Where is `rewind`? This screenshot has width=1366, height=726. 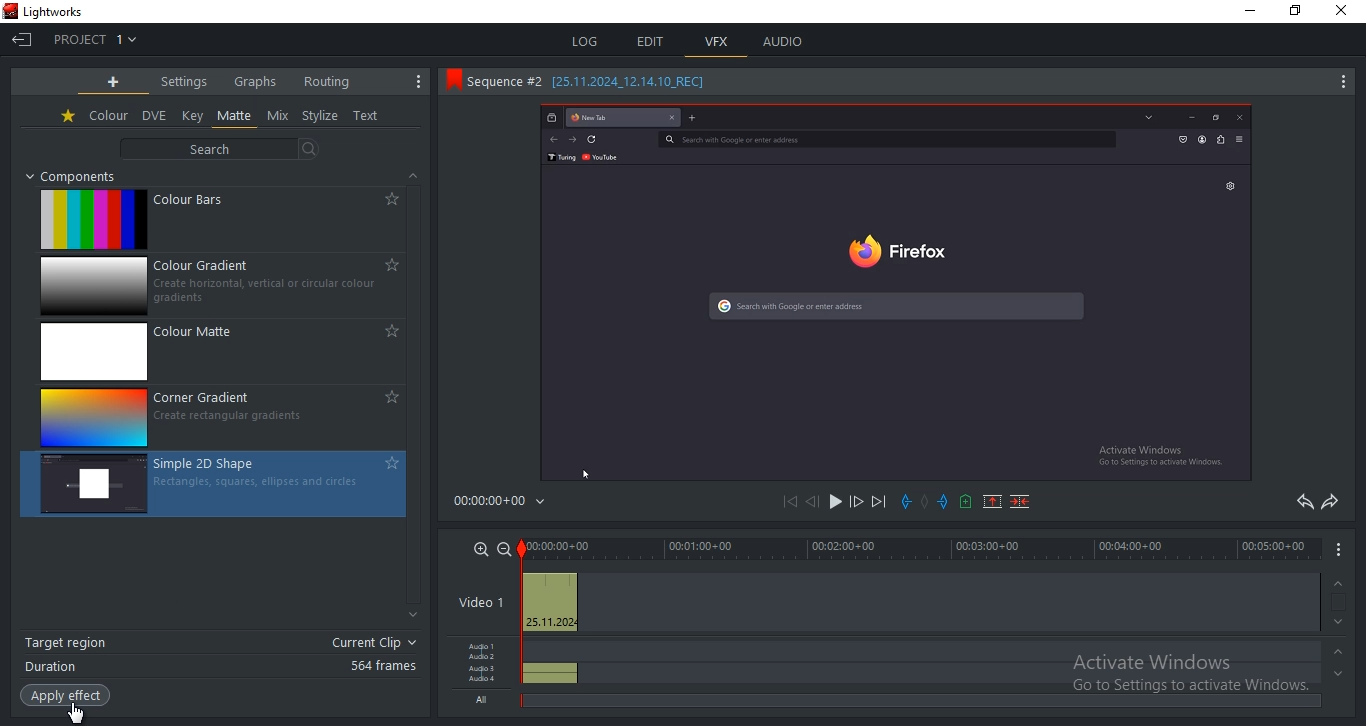 rewind is located at coordinates (811, 503).